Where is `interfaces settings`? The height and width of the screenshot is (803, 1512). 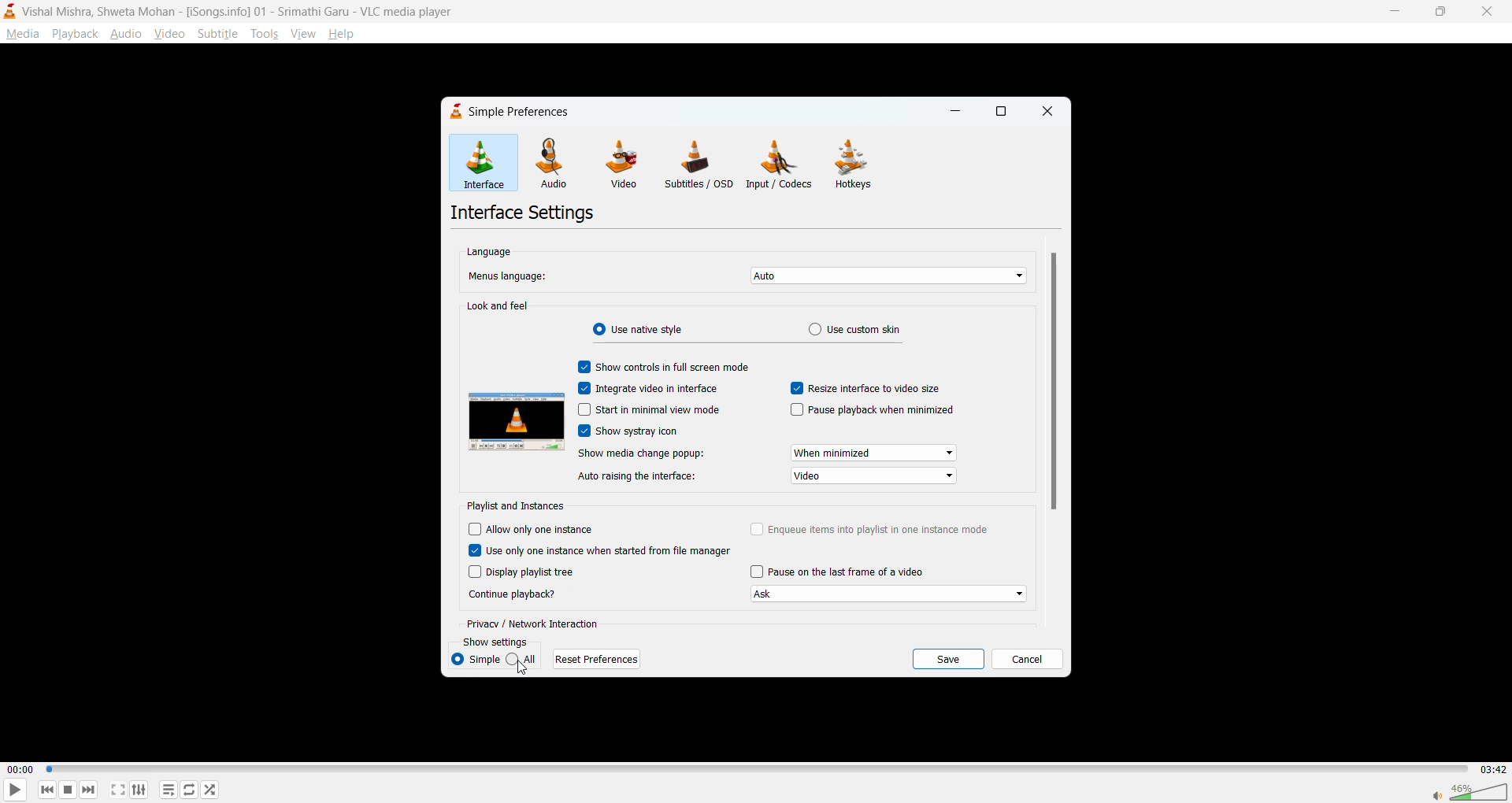 interfaces settings is located at coordinates (527, 212).